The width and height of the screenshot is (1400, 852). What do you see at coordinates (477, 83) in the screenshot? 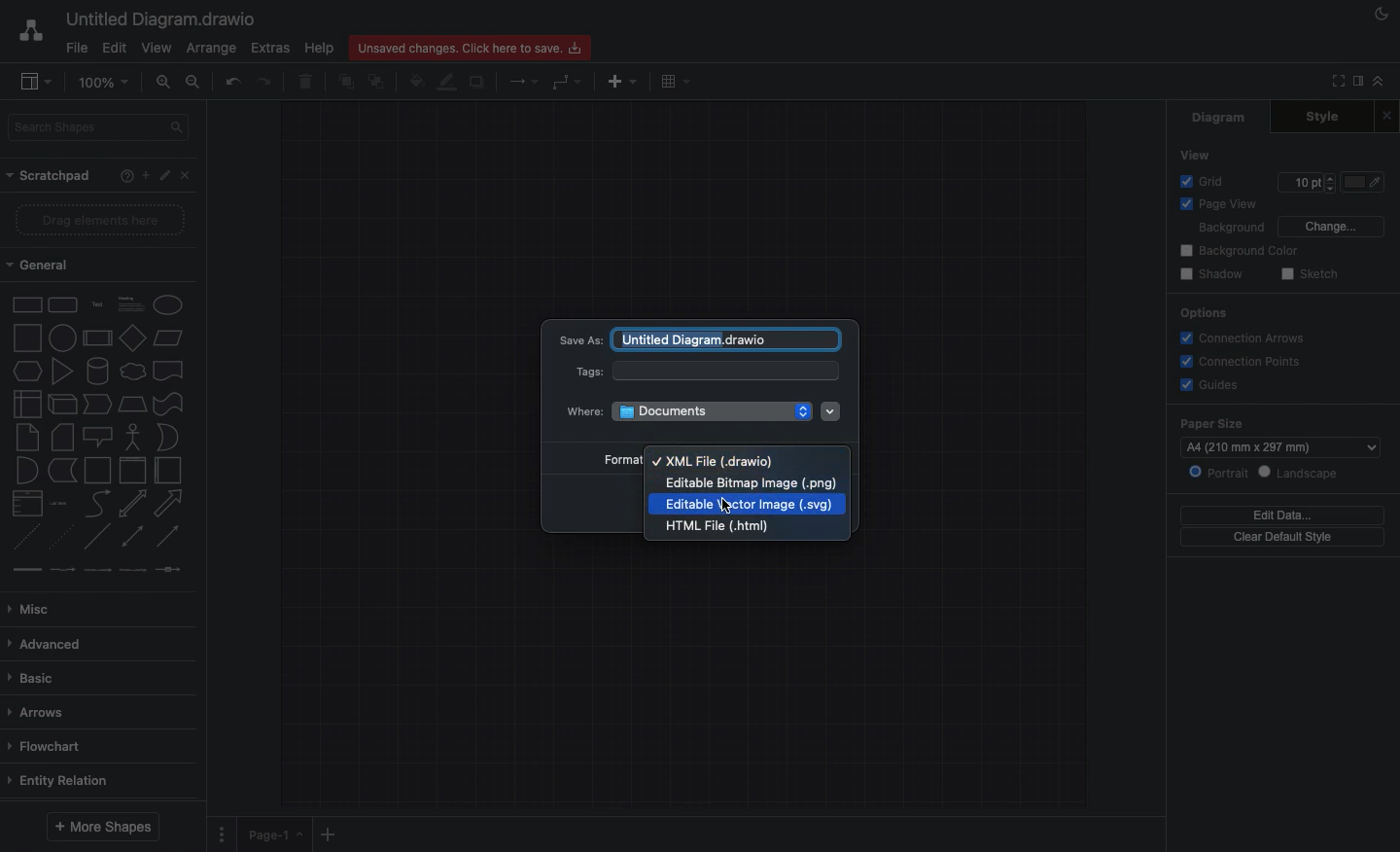
I see `Shadow` at bounding box center [477, 83].